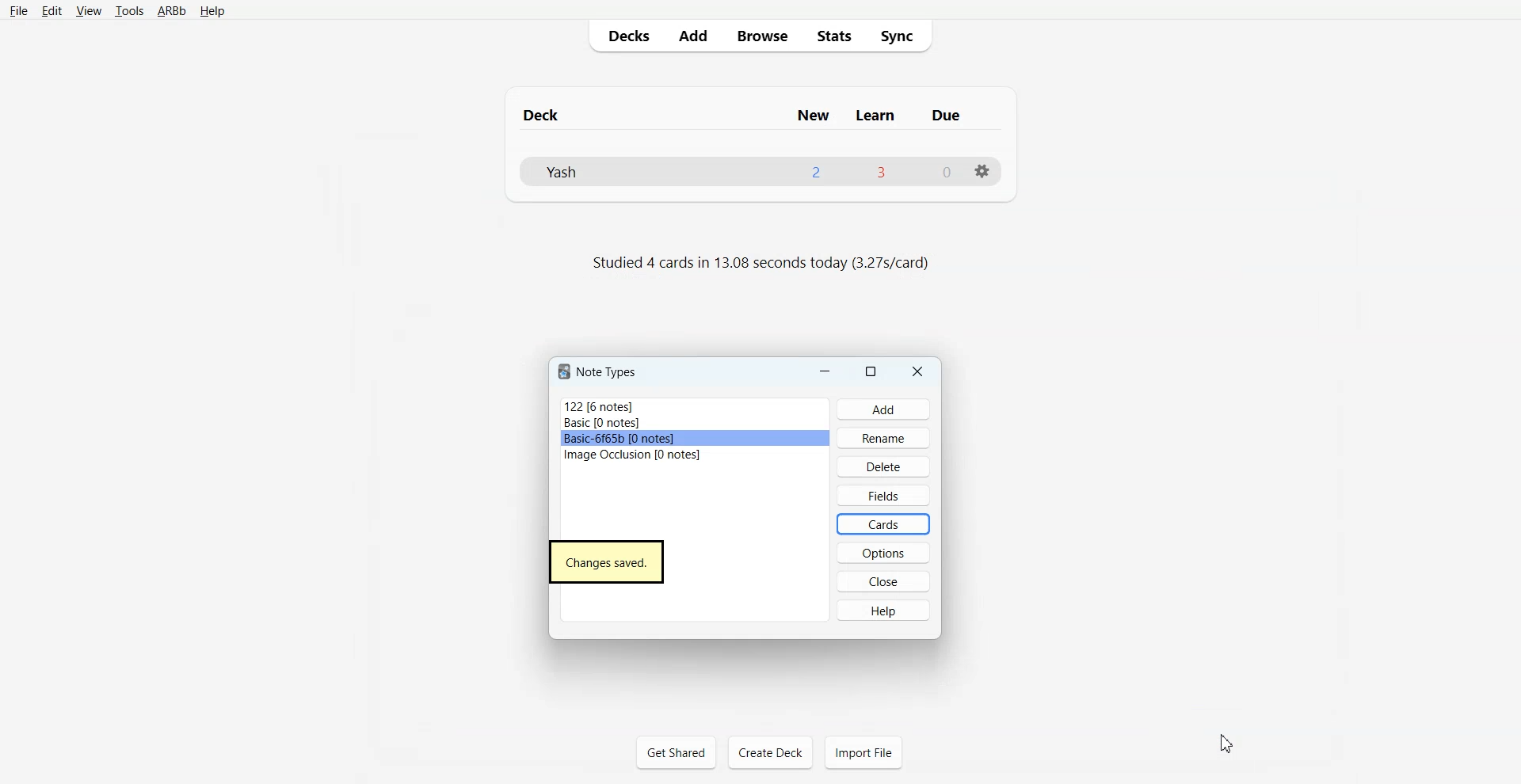 The height and width of the screenshot is (784, 1521). Describe the element at coordinates (51, 10) in the screenshot. I see `Edit` at that location.